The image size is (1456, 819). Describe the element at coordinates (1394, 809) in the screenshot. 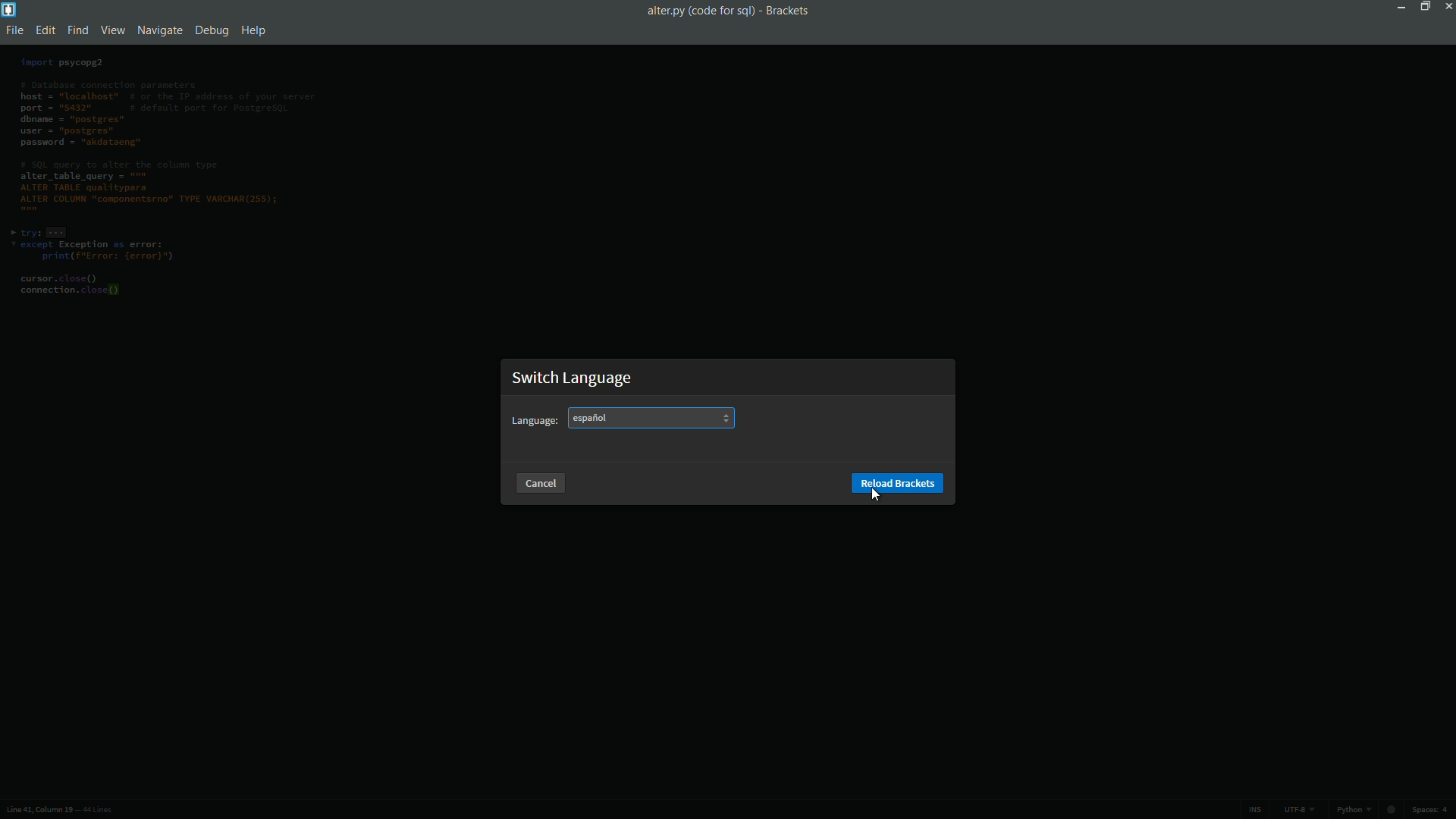

I see `circle` at that location.